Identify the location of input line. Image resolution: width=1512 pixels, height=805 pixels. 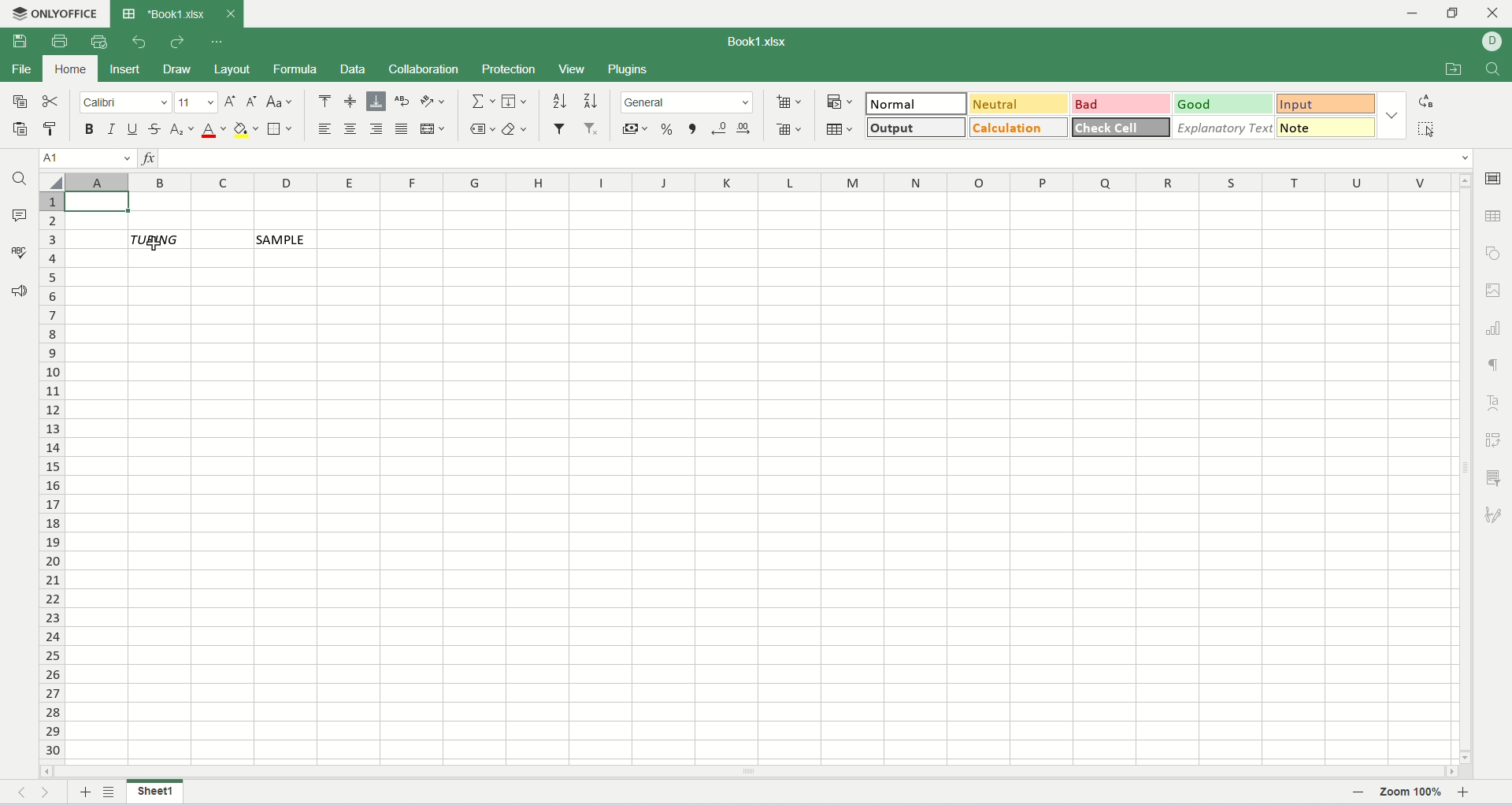
(819, 157).